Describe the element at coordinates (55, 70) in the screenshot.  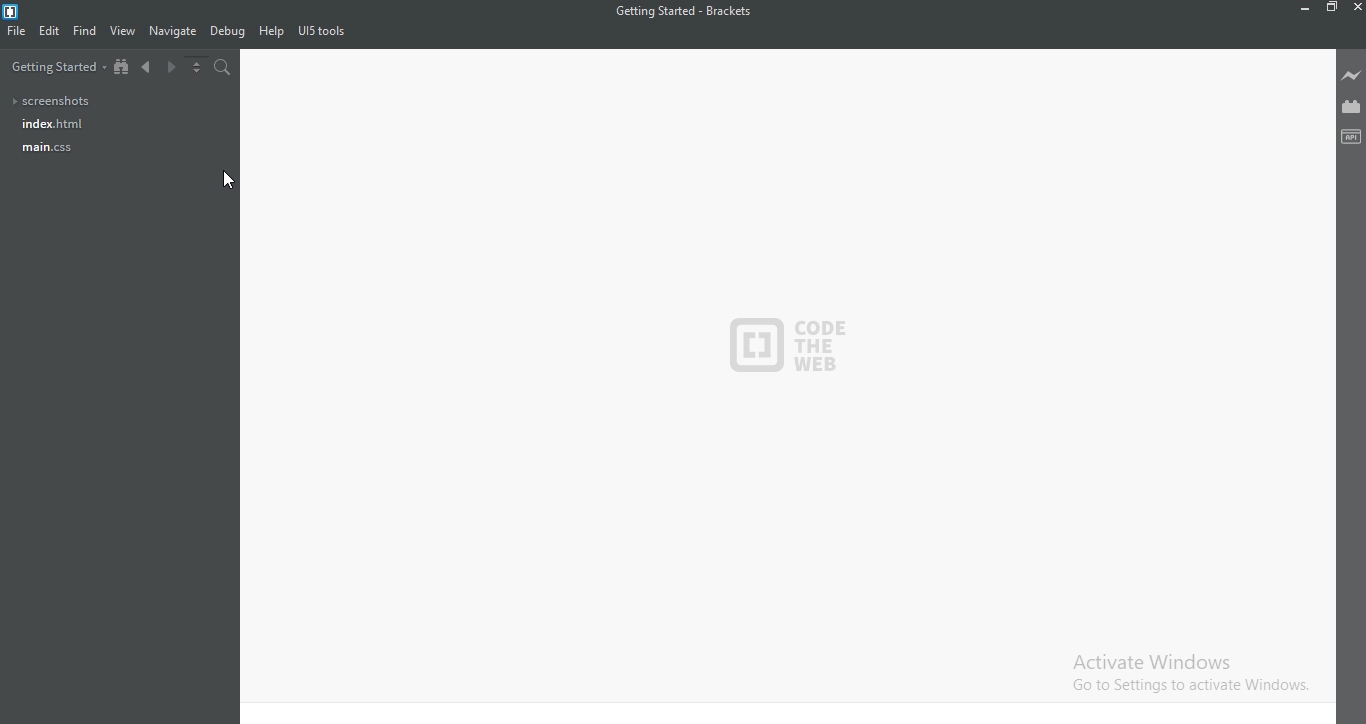
I see `Getting started` at that location.